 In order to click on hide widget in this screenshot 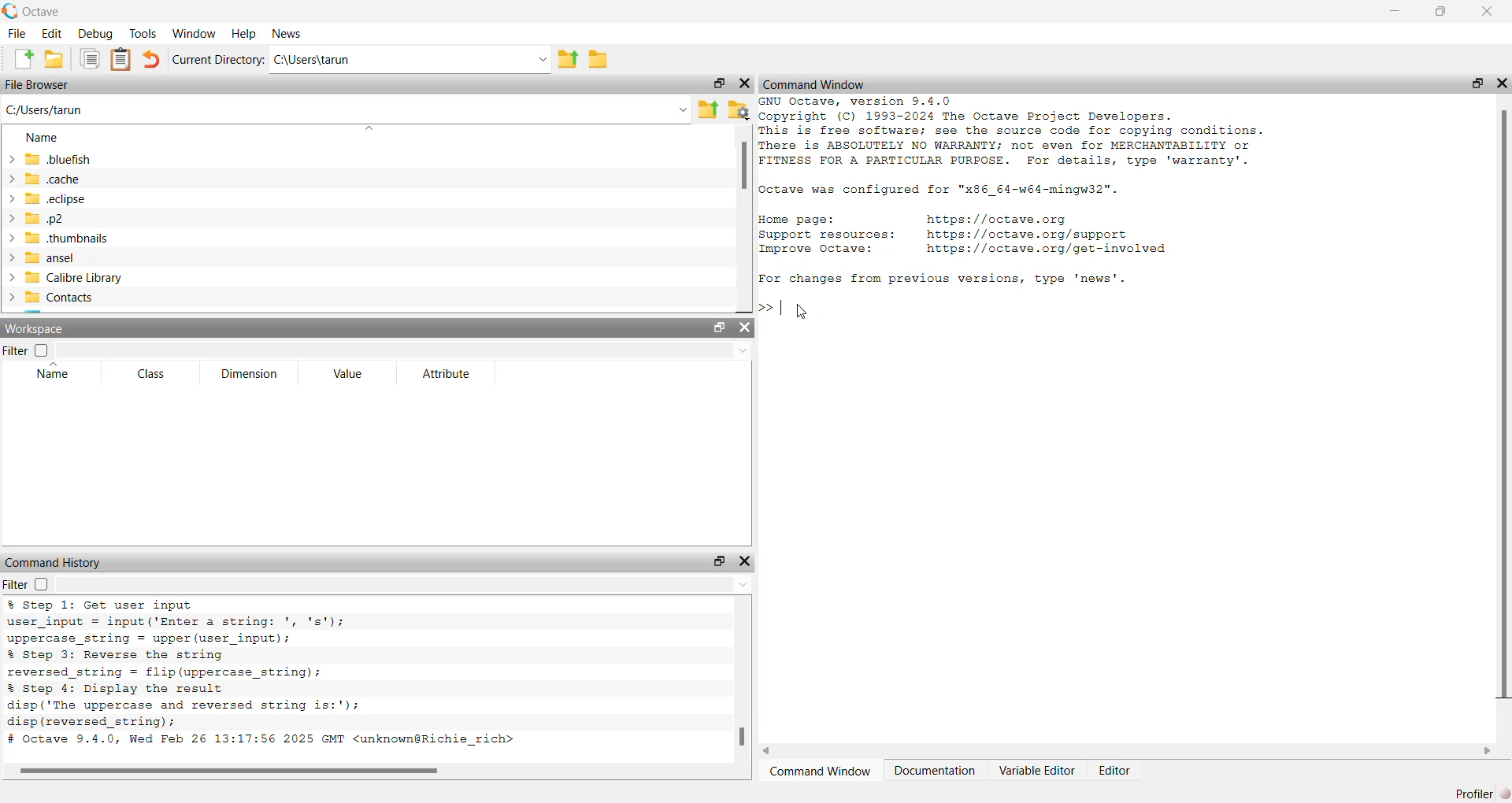, I will do `click(748, 326)`.